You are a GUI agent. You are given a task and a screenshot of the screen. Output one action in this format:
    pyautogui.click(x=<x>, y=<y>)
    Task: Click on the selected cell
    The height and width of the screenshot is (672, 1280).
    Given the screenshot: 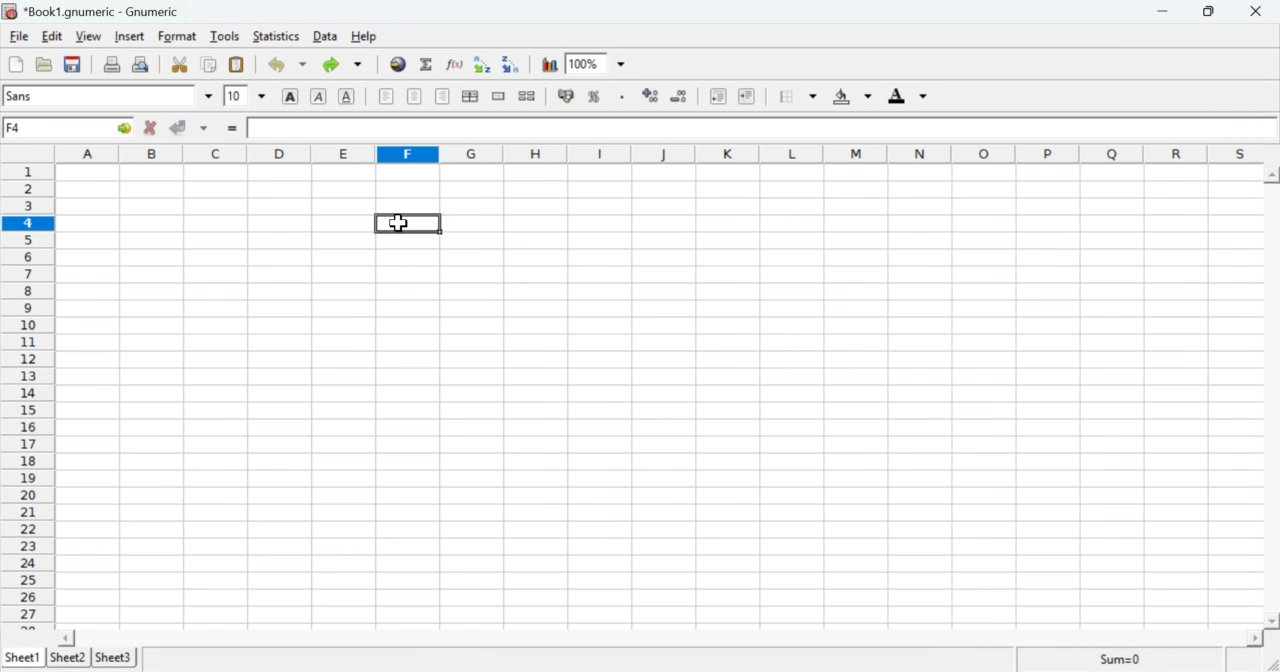 What is the action you would take?
    pyautogui.click(x=401, y=222)
    